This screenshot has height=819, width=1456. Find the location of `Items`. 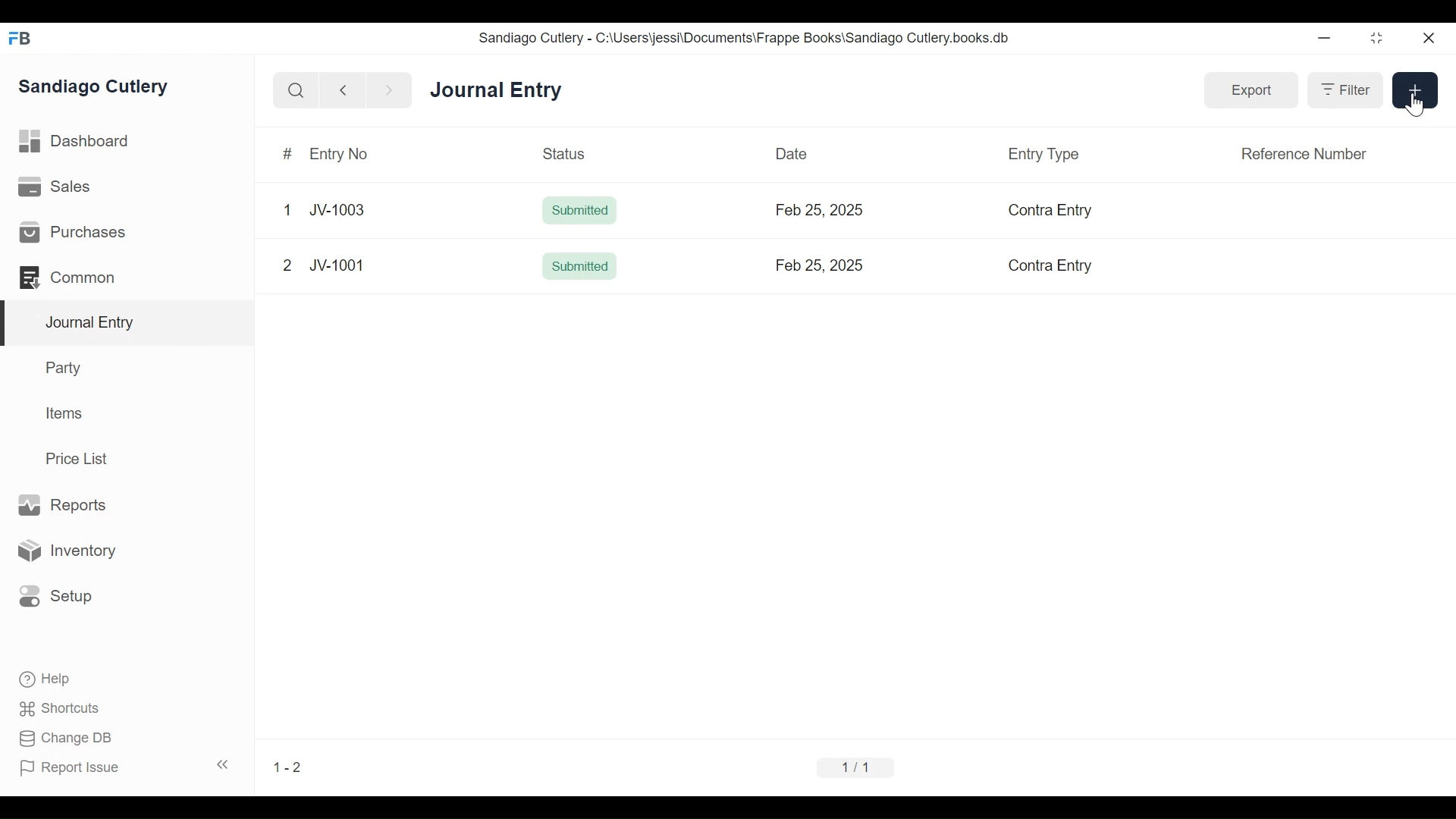

Items is located at coordinates (62, 413).